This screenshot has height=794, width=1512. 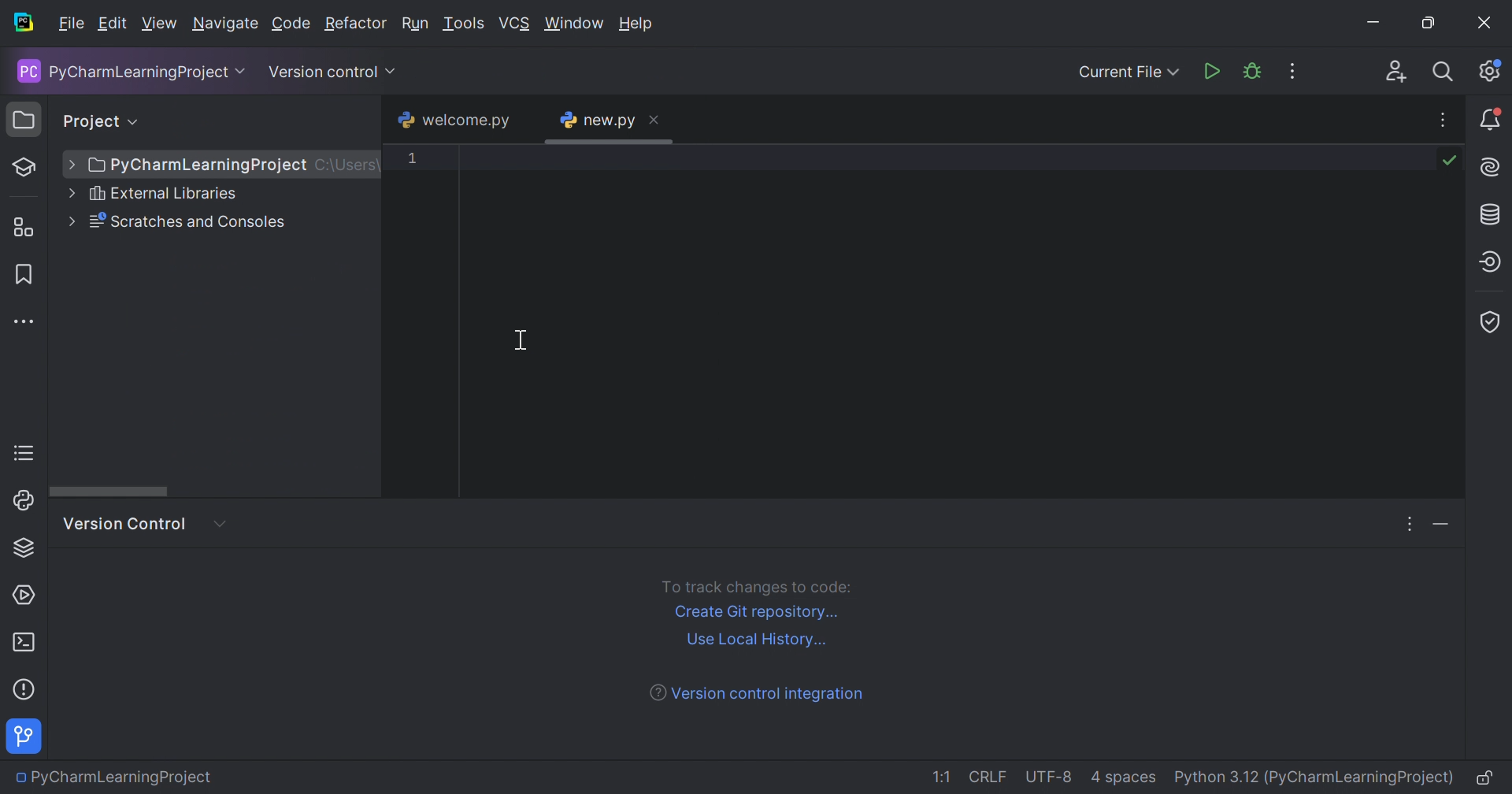 What do you see at coordinates (28, 453) in the screenshot?
I see `TODO` at bounding box center [28, 453].